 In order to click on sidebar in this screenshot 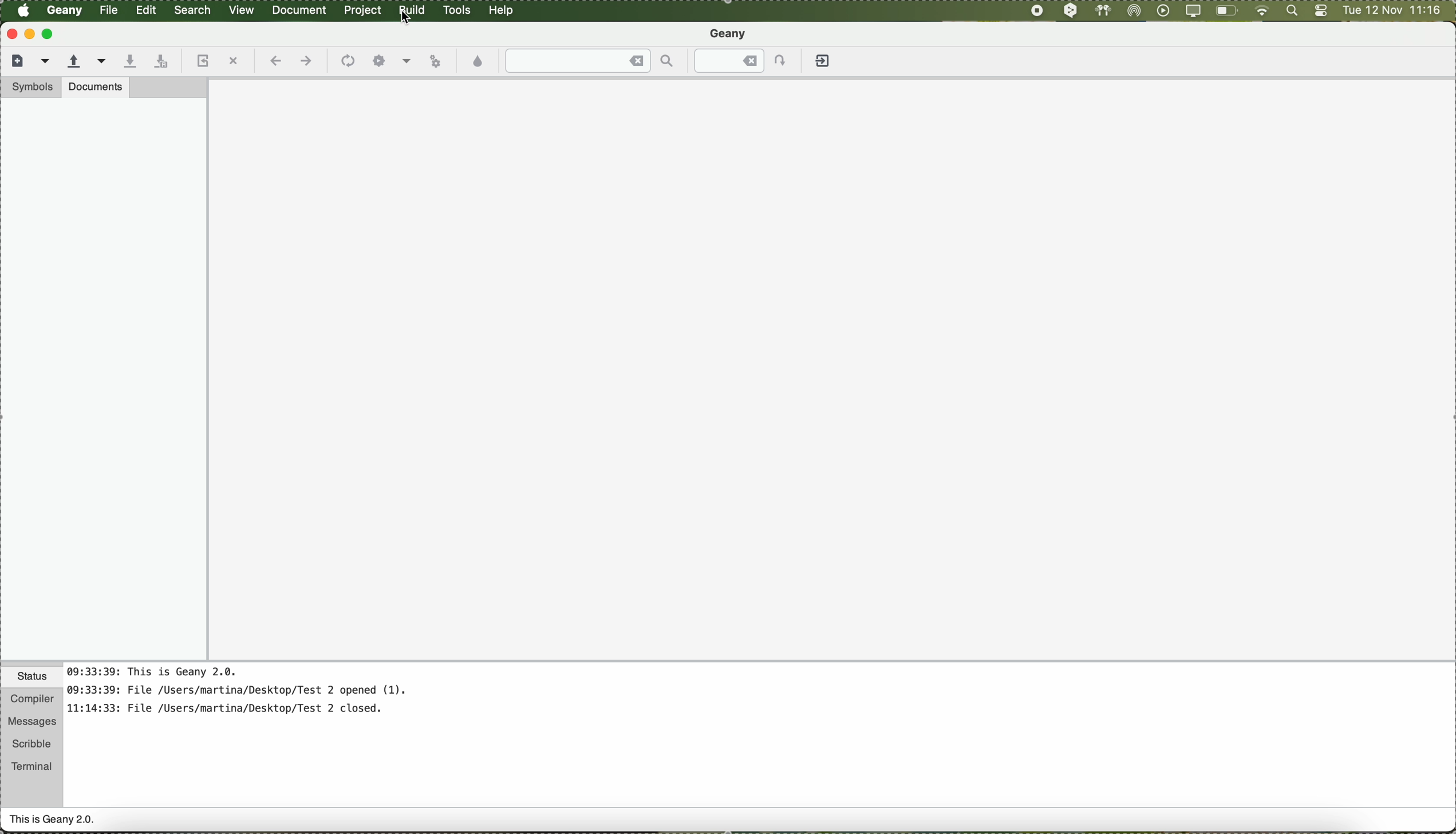, I will do `click(104, 379)`.